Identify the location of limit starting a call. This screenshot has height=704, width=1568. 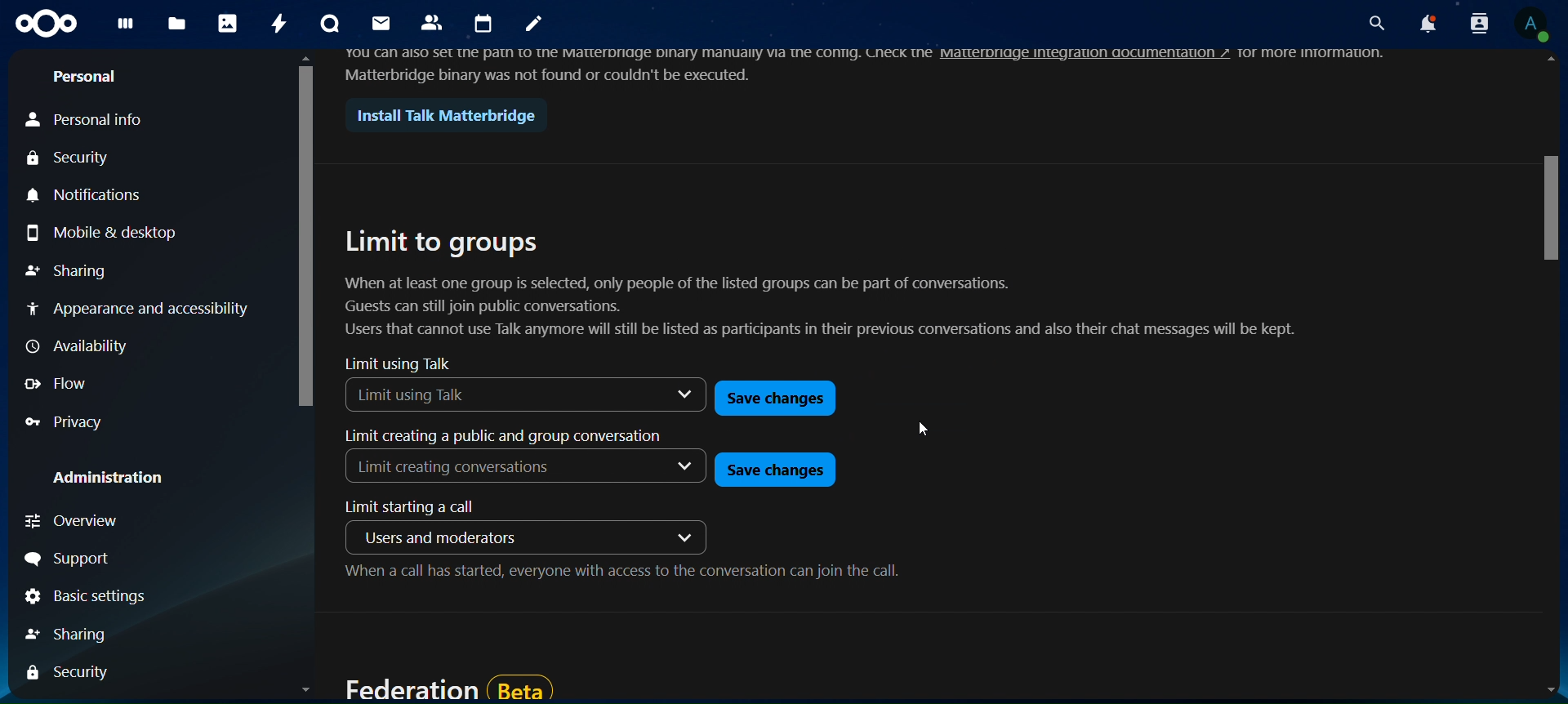
(421, 507).